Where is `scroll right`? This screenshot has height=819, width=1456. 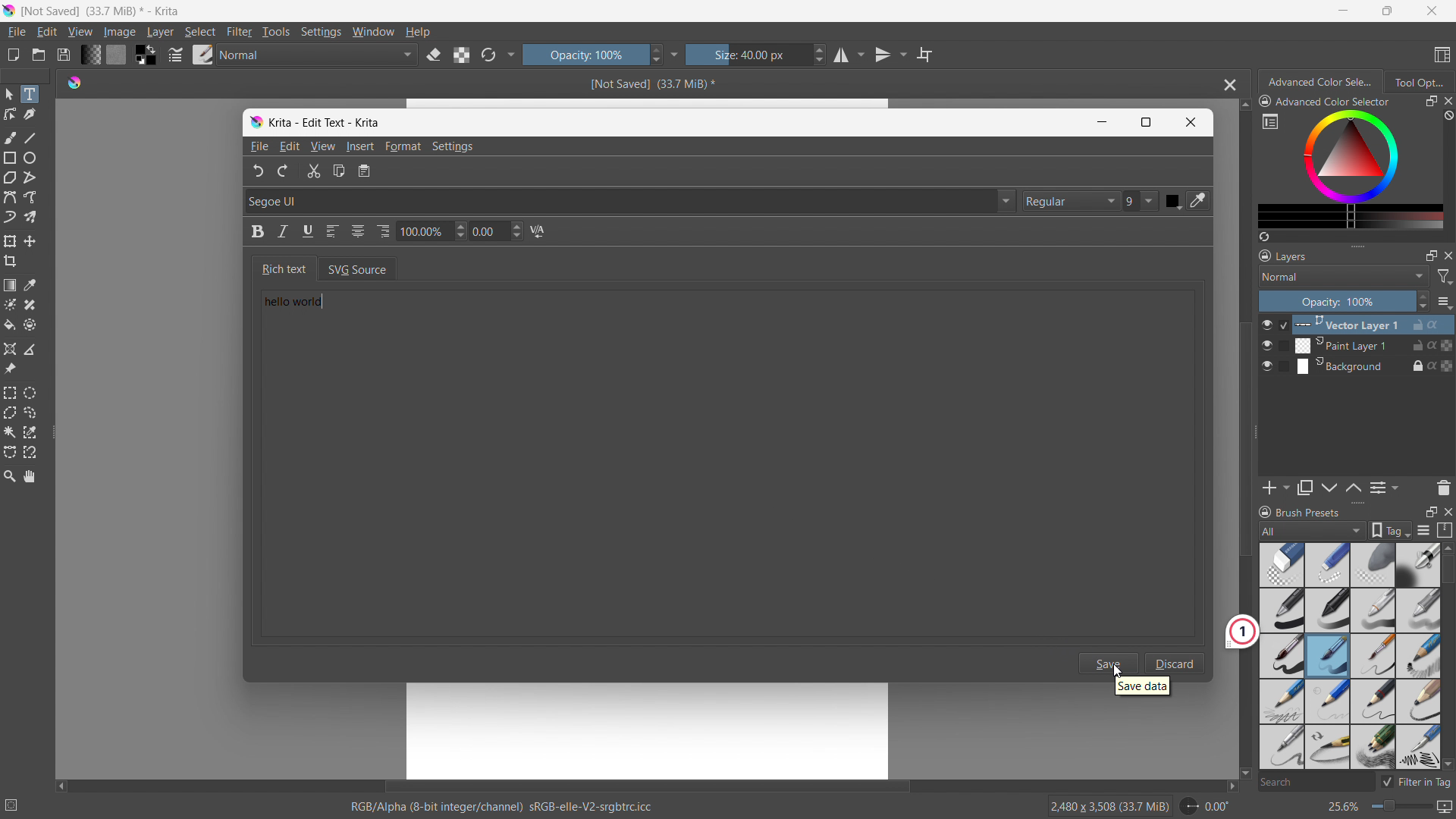
scroll right is located at coordinates (1227, 786).